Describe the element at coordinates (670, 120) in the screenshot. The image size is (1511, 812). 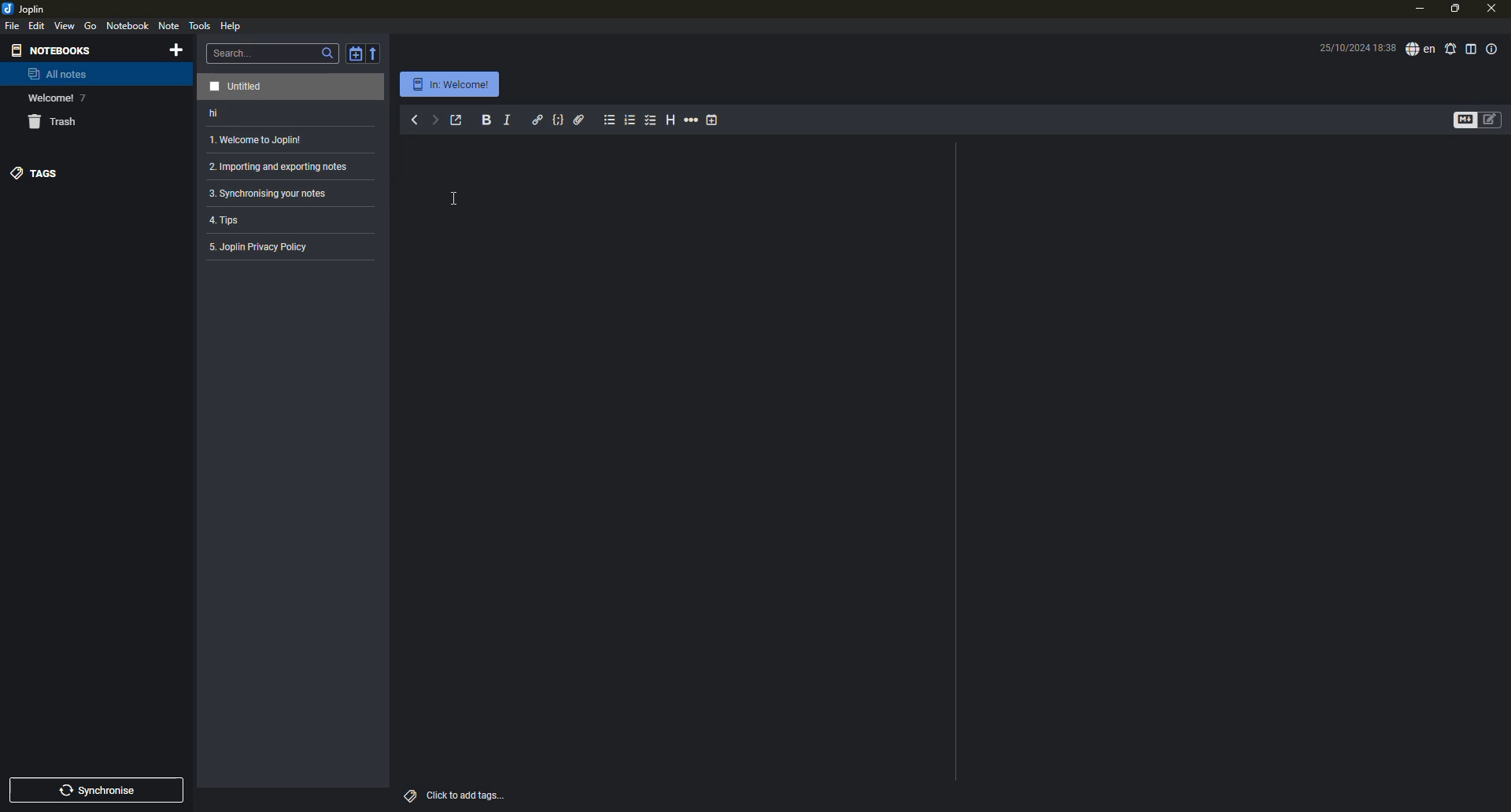
I see `heading` at that location.